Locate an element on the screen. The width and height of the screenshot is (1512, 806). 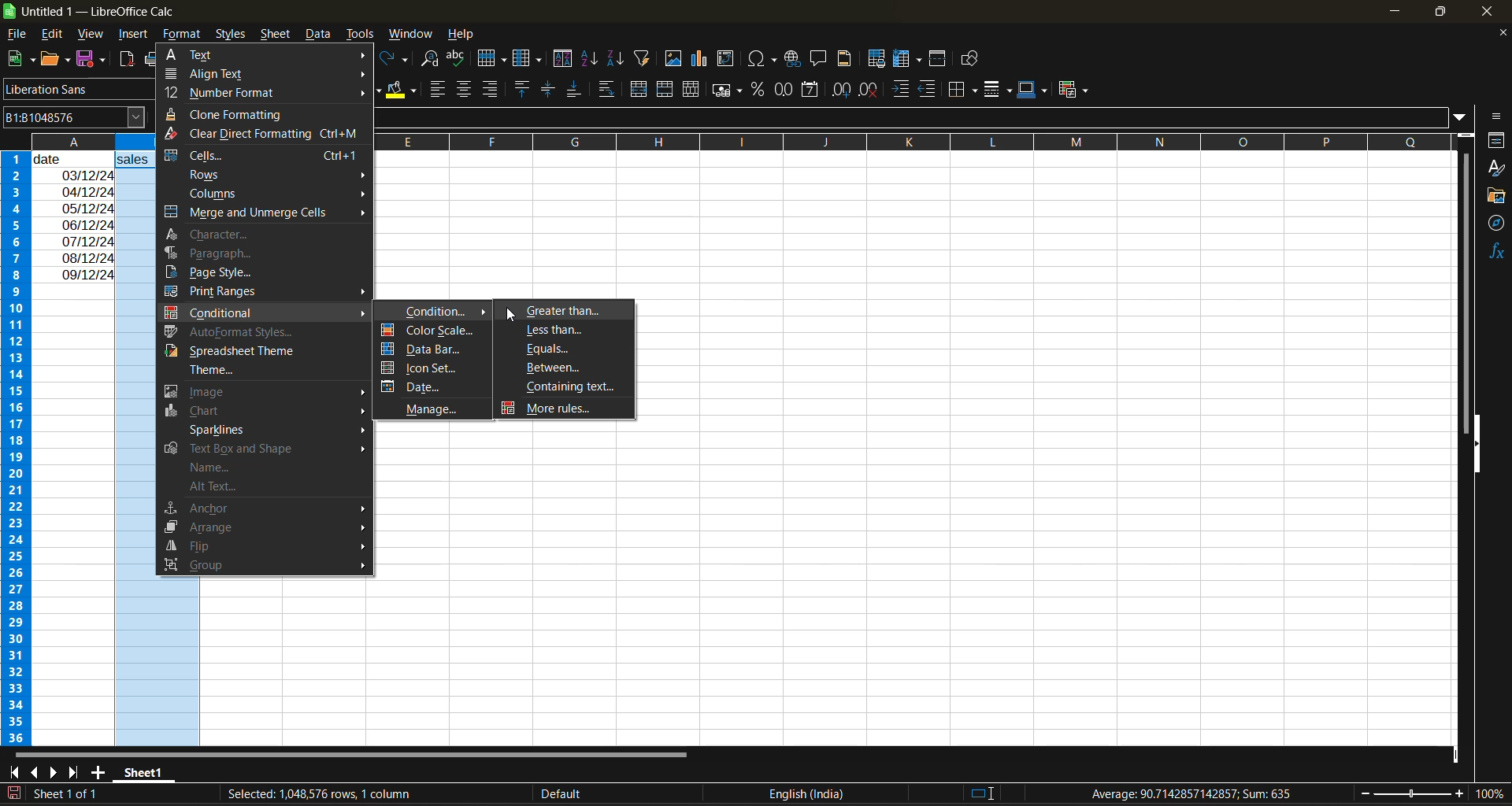
align right is located at coordinates (491, 88).